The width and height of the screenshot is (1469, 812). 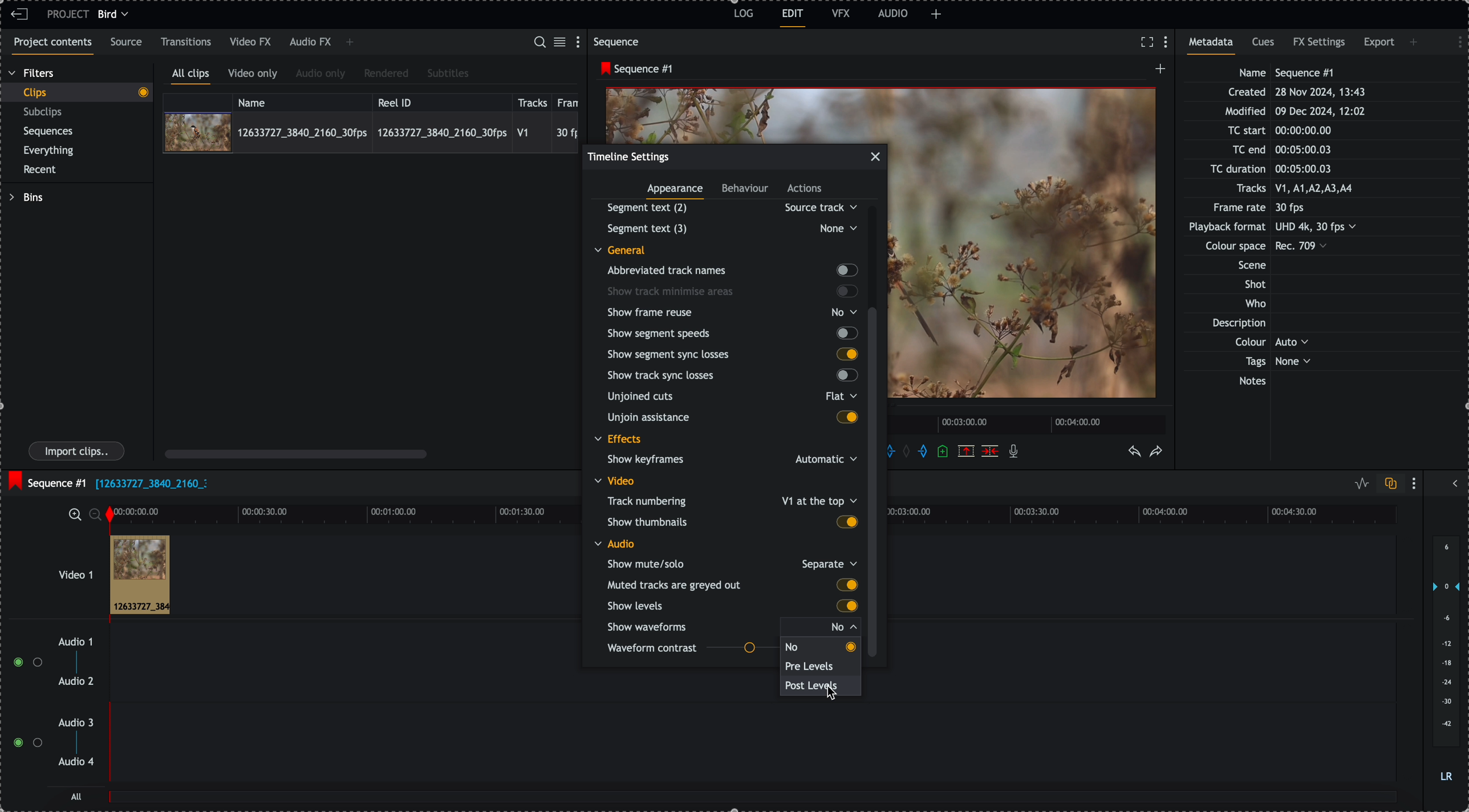 What do you see at coordinates (813, 667) in the screenshot?
I see `pre levels` at bounding box center [813, 667].